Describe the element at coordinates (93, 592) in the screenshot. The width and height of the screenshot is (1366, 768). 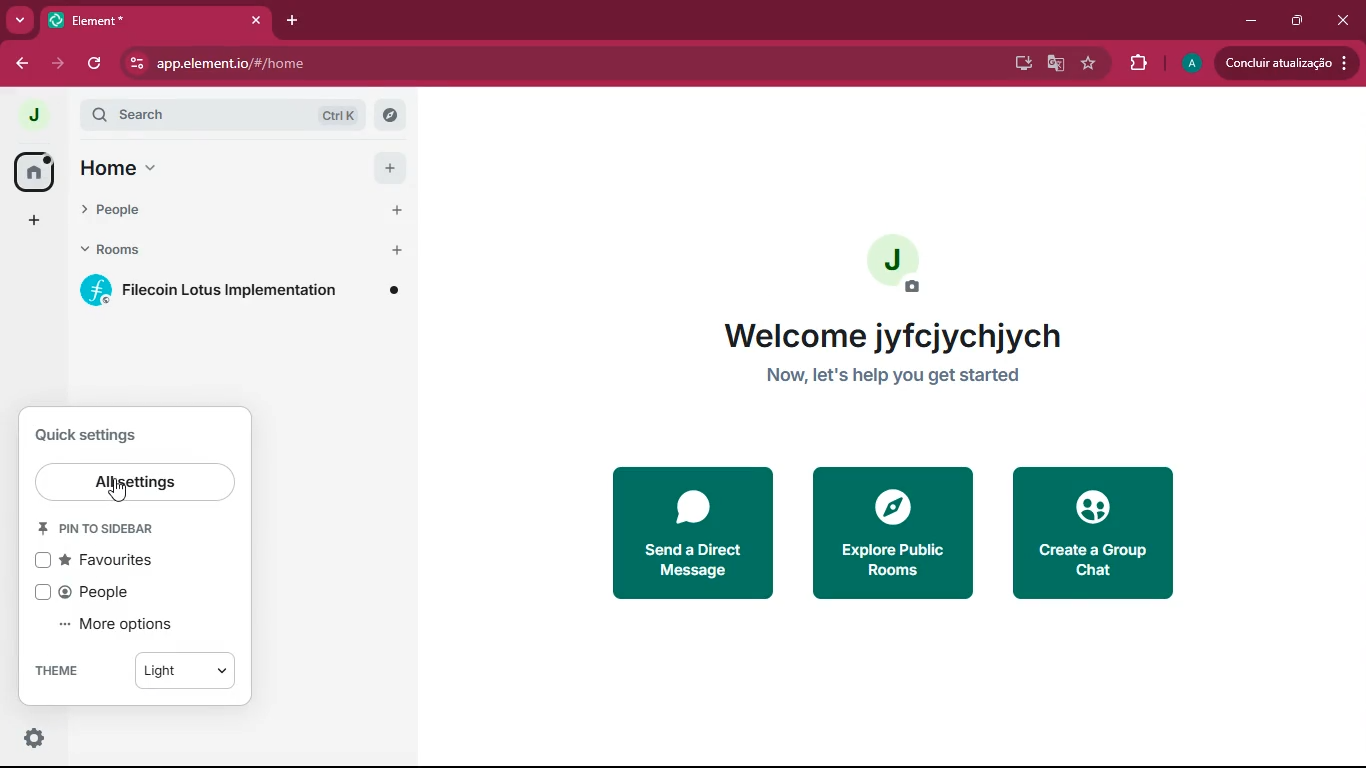
I see `people` at that location.